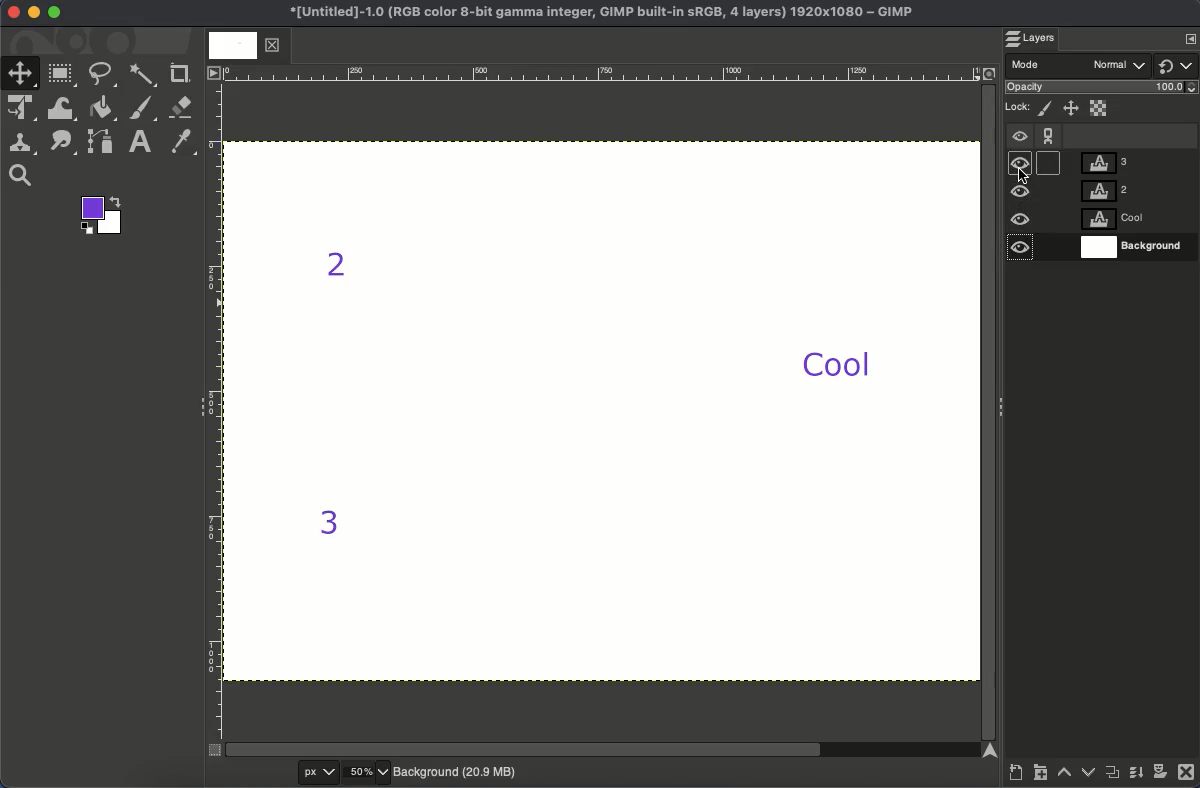 The width and height of the screenshot is (1200, 788). Describe the element at coordinates (182, 107) in the screenshot. I see `Eraser` at that location.